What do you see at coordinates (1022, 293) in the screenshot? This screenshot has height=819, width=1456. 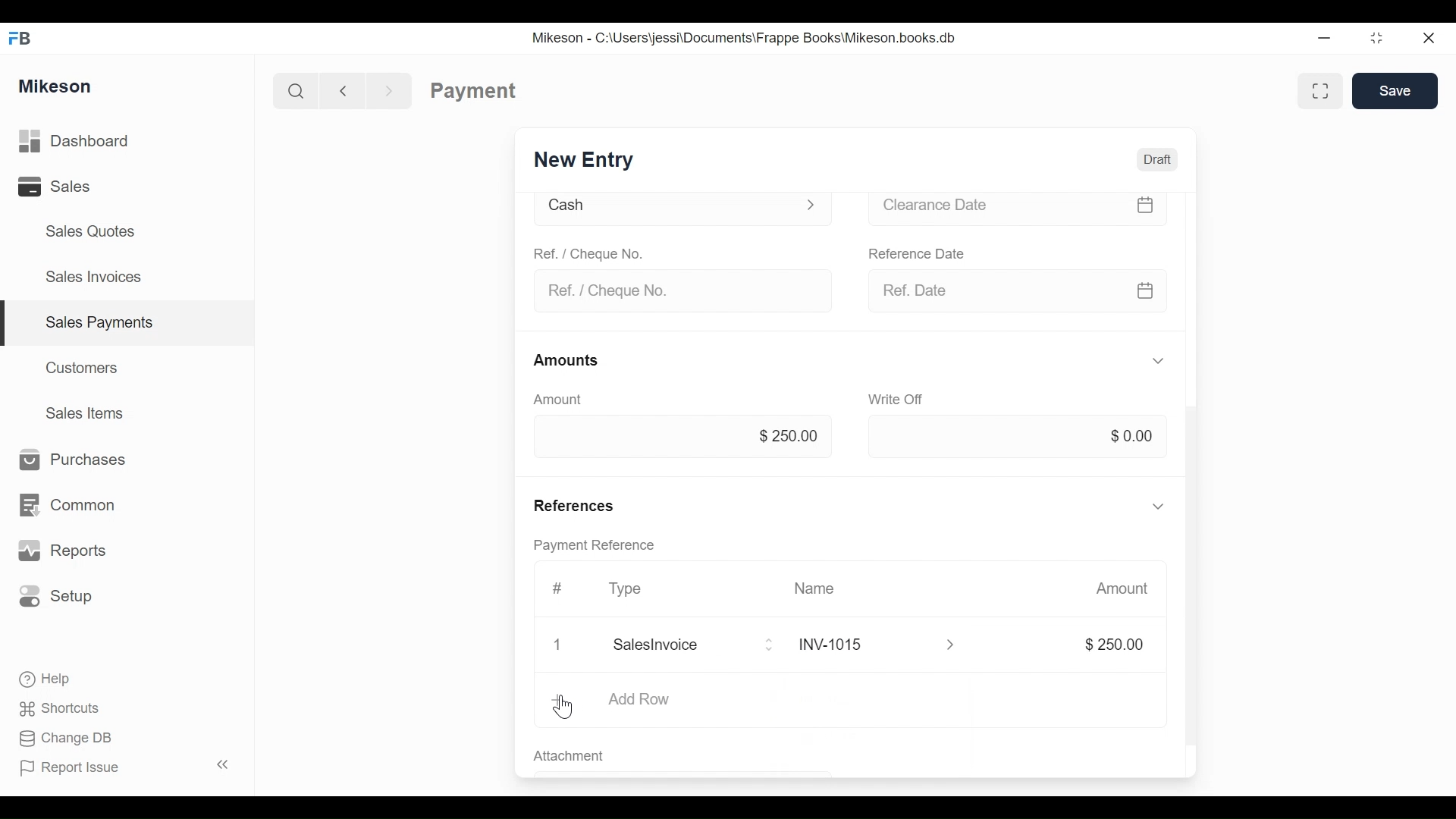 I see `Ref date` at bounding box center [1022, 293].